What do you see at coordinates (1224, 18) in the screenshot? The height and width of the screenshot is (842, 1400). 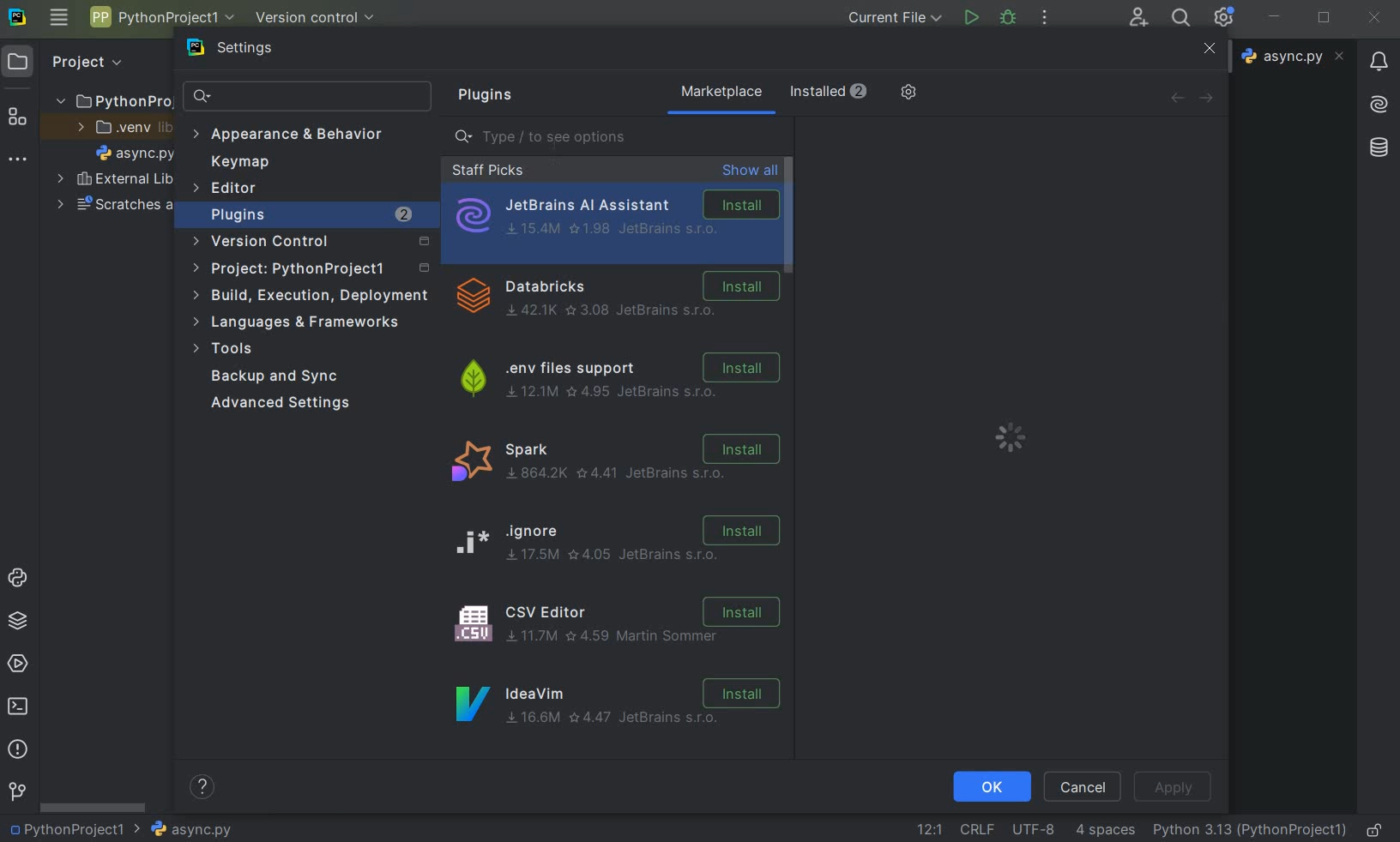 I see `ide and project settings` at bounding box center [1224, 18].